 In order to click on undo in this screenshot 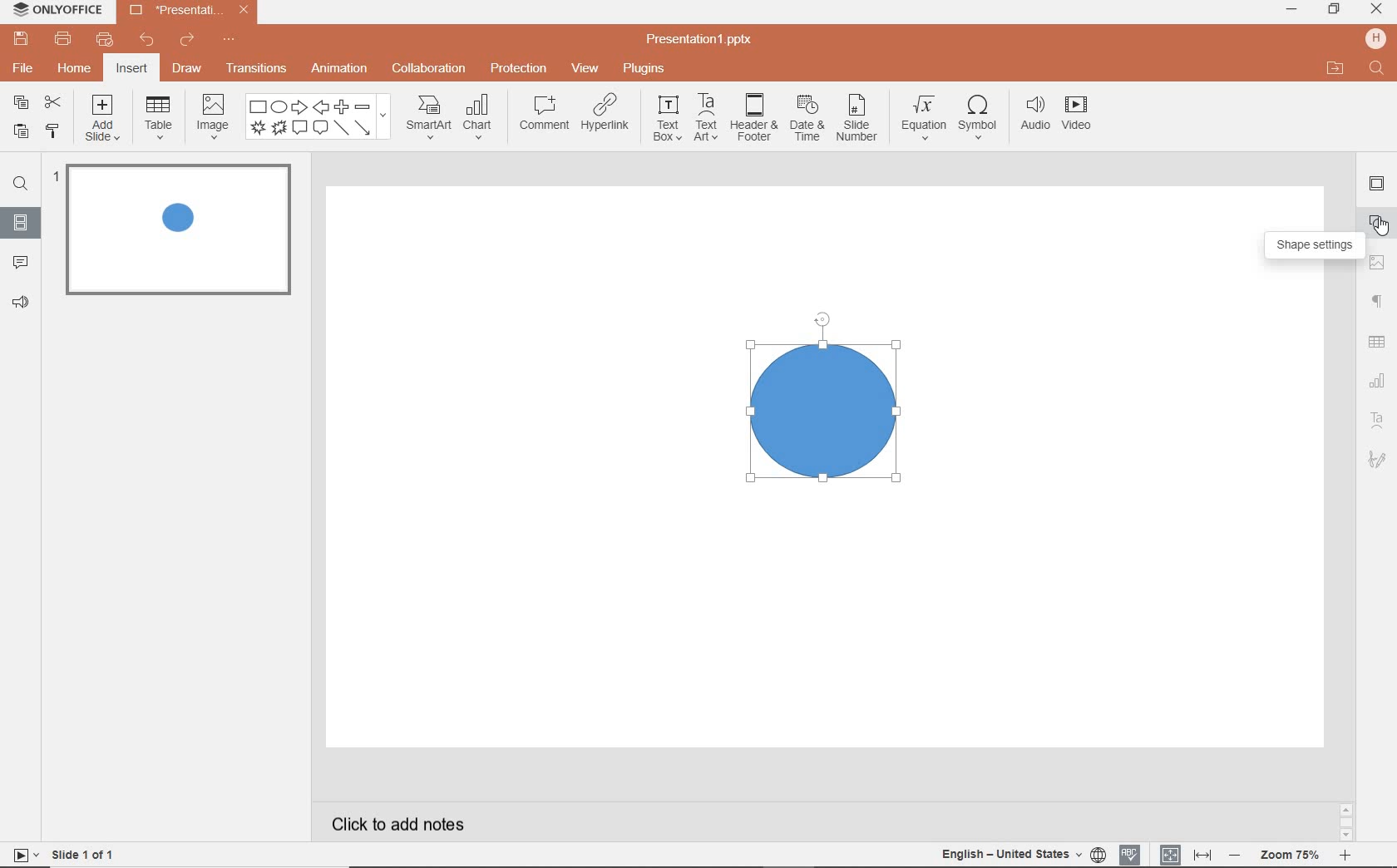, I will do `click(149, 41)`.